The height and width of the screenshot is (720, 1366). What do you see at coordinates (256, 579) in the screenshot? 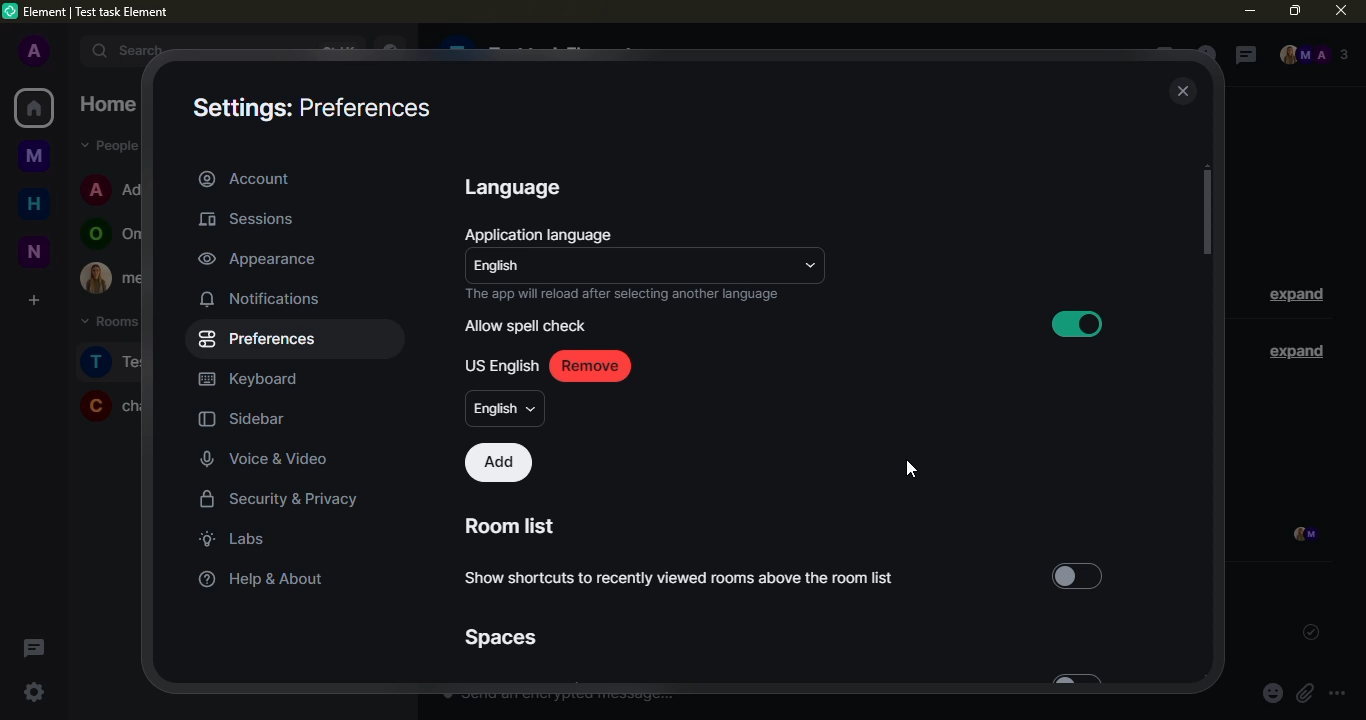
I see `help` at bounding box center [256, 579].